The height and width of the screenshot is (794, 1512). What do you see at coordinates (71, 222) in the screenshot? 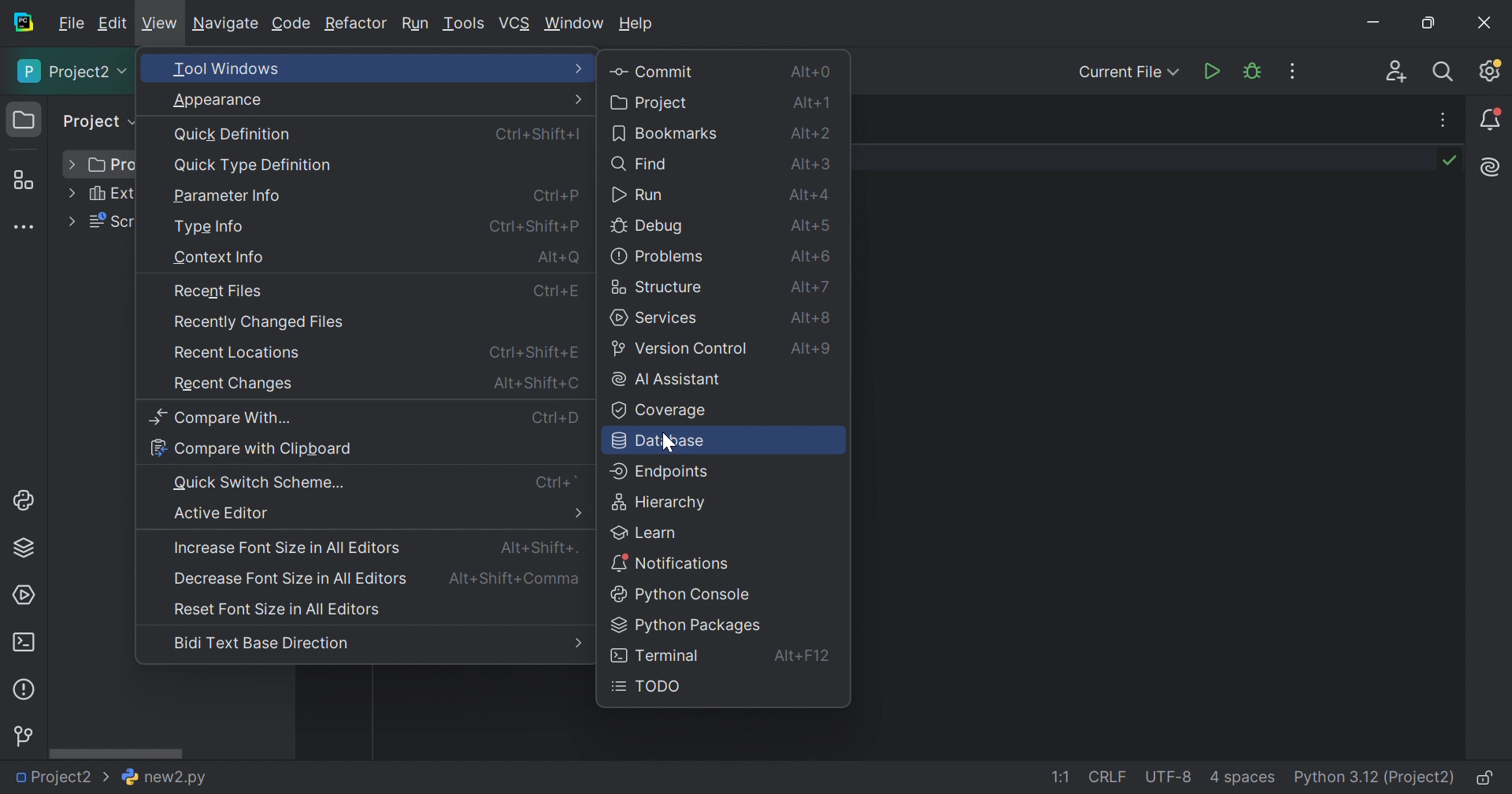
I see `More` at bounding box center [71, 222].